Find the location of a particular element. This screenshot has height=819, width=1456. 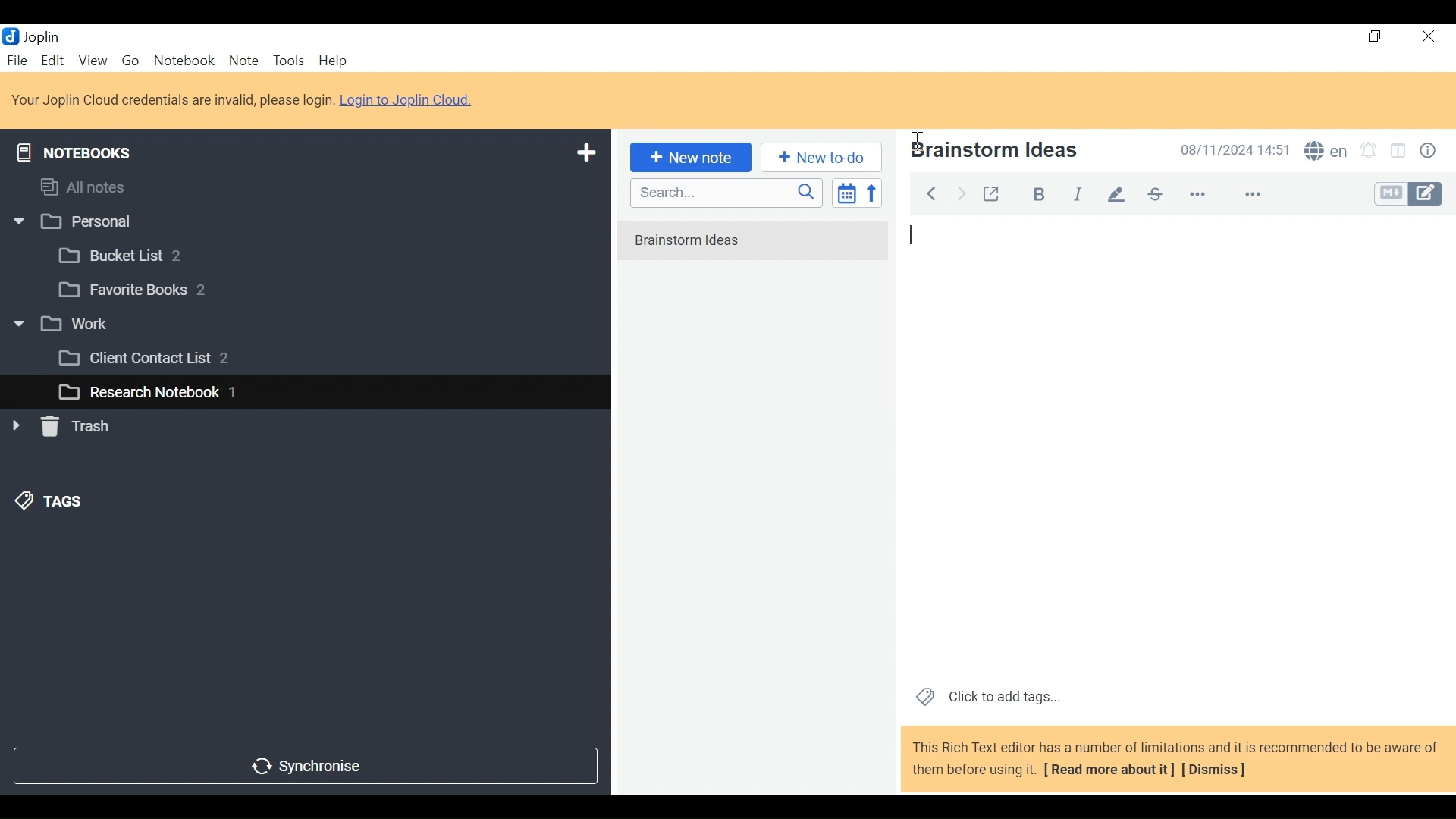

Click to add tags is located at coordinates (985, 695).